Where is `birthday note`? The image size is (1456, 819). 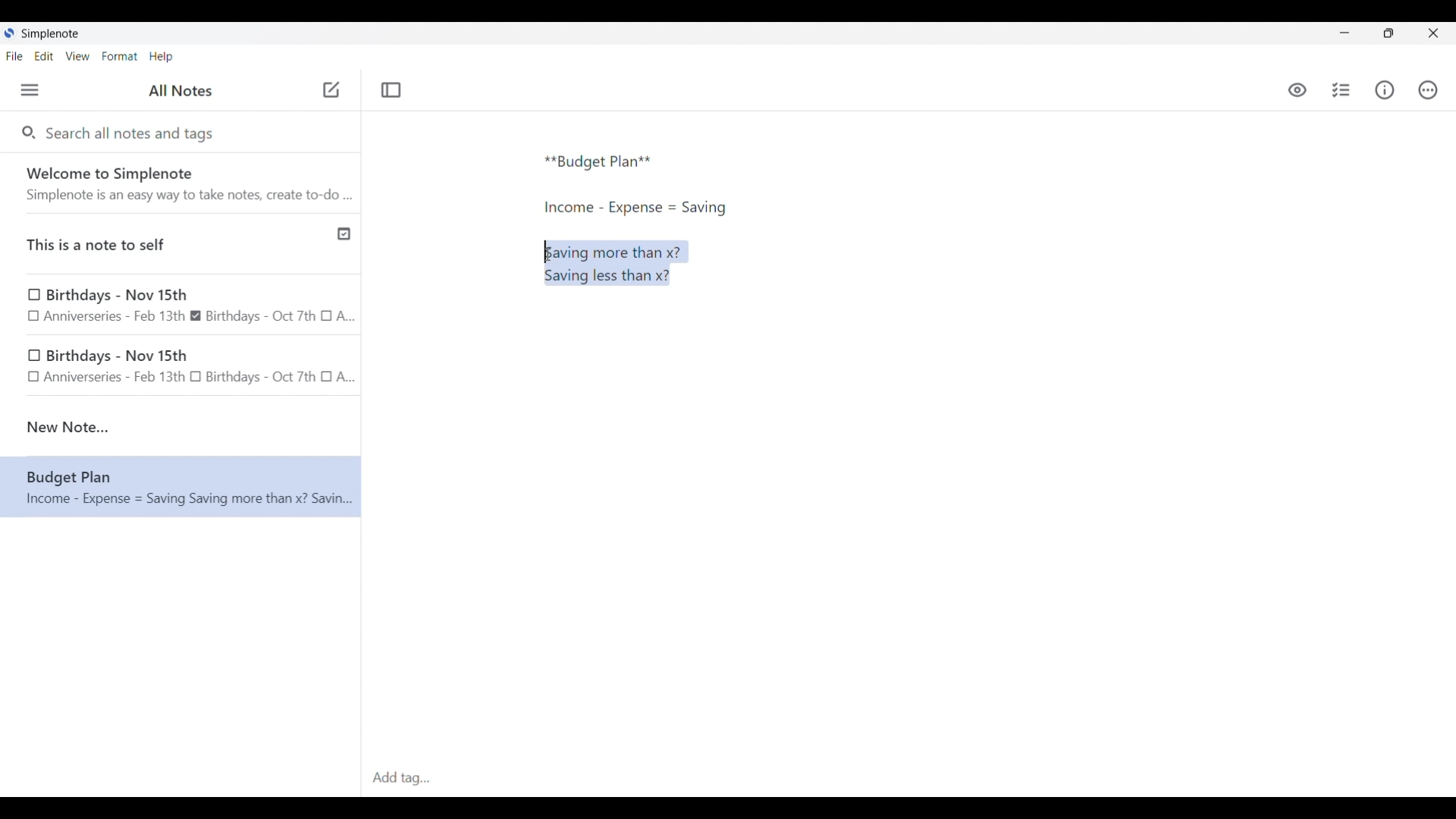
birthday note is located at coordinates (182, 369).